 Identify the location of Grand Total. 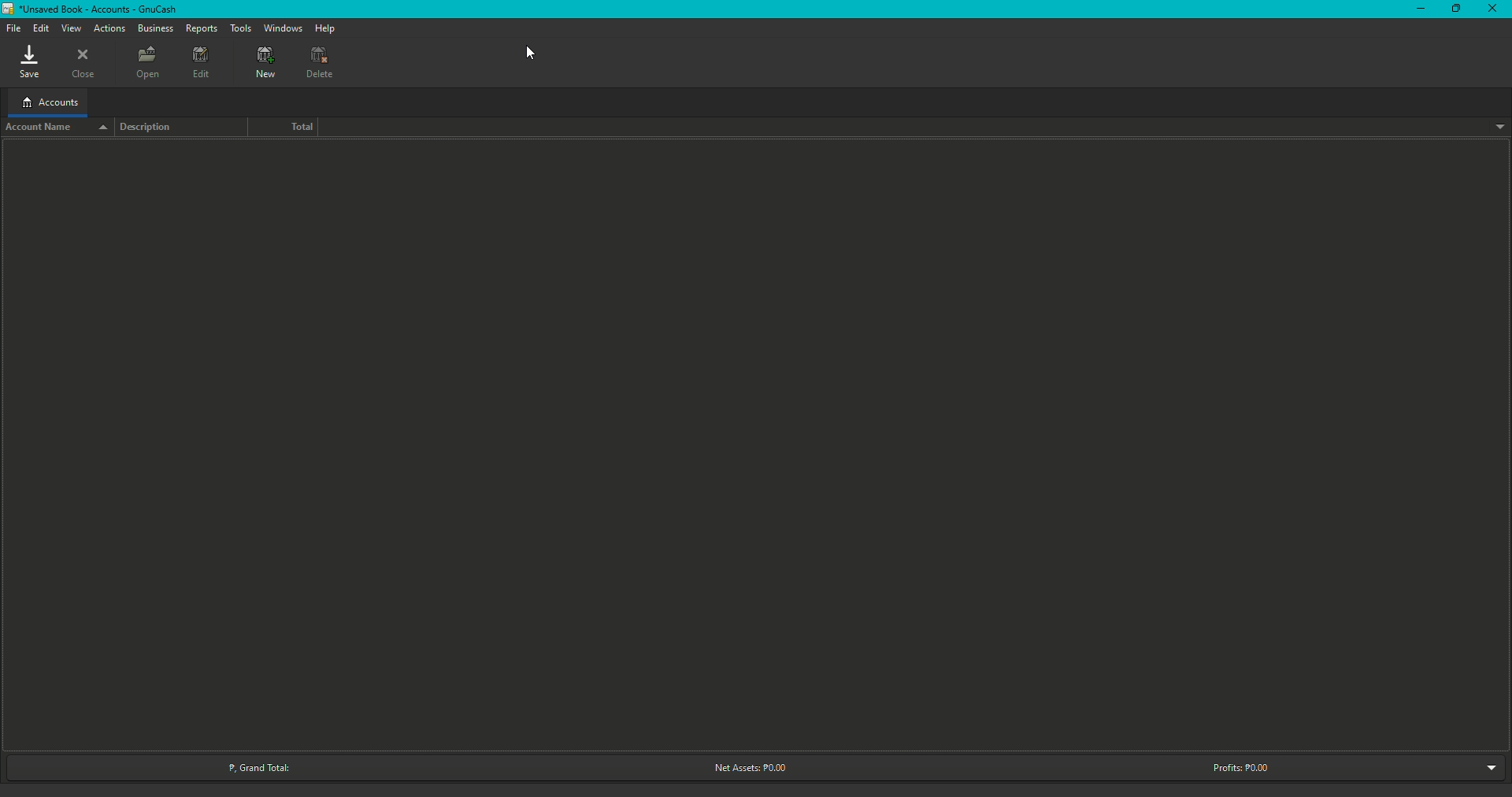
(254, 768).